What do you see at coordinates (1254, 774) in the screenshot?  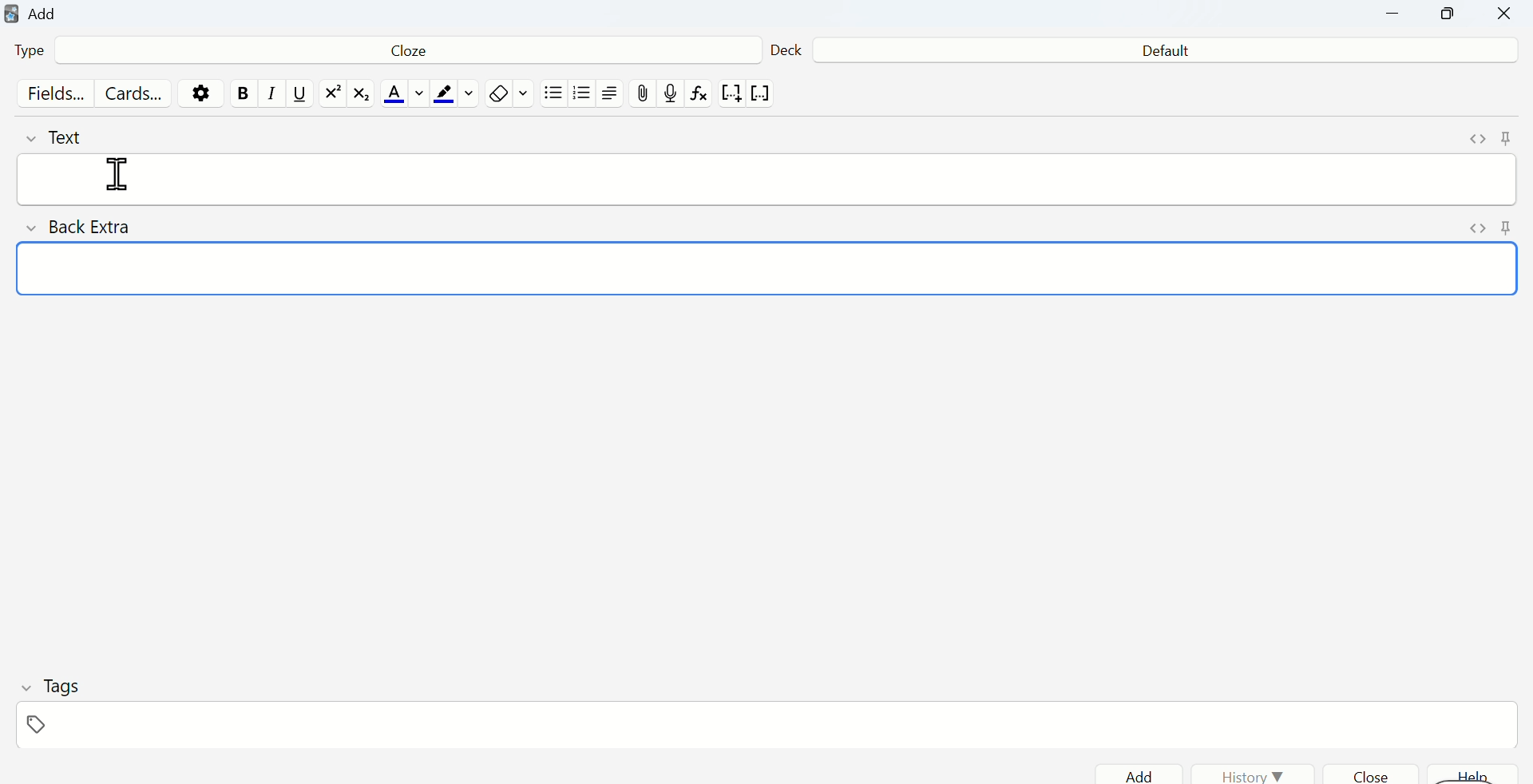 I see `History` at bounding box center [1254, 774].